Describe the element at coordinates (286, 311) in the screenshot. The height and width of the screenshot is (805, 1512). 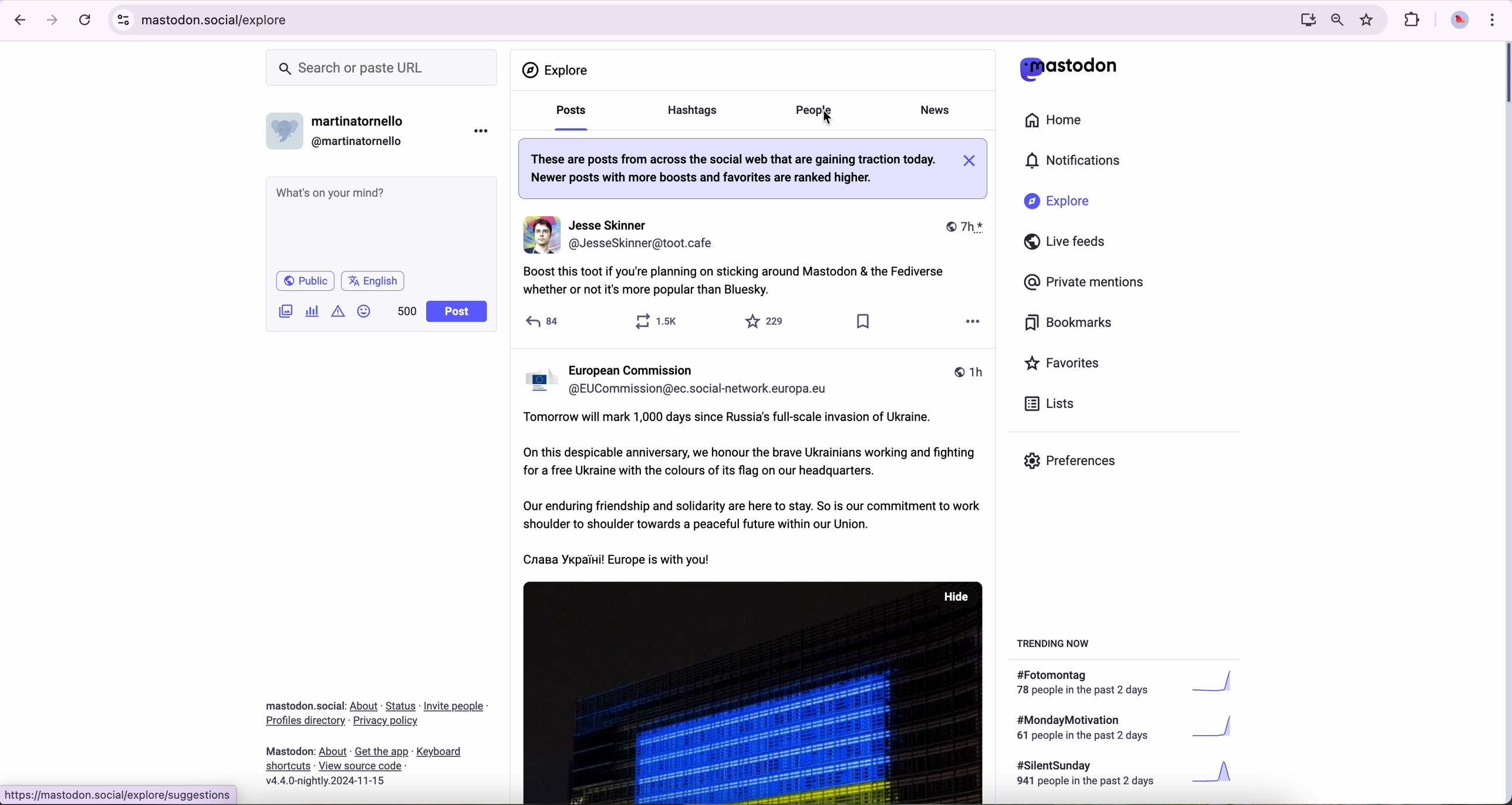
I see `attach image` at that location.